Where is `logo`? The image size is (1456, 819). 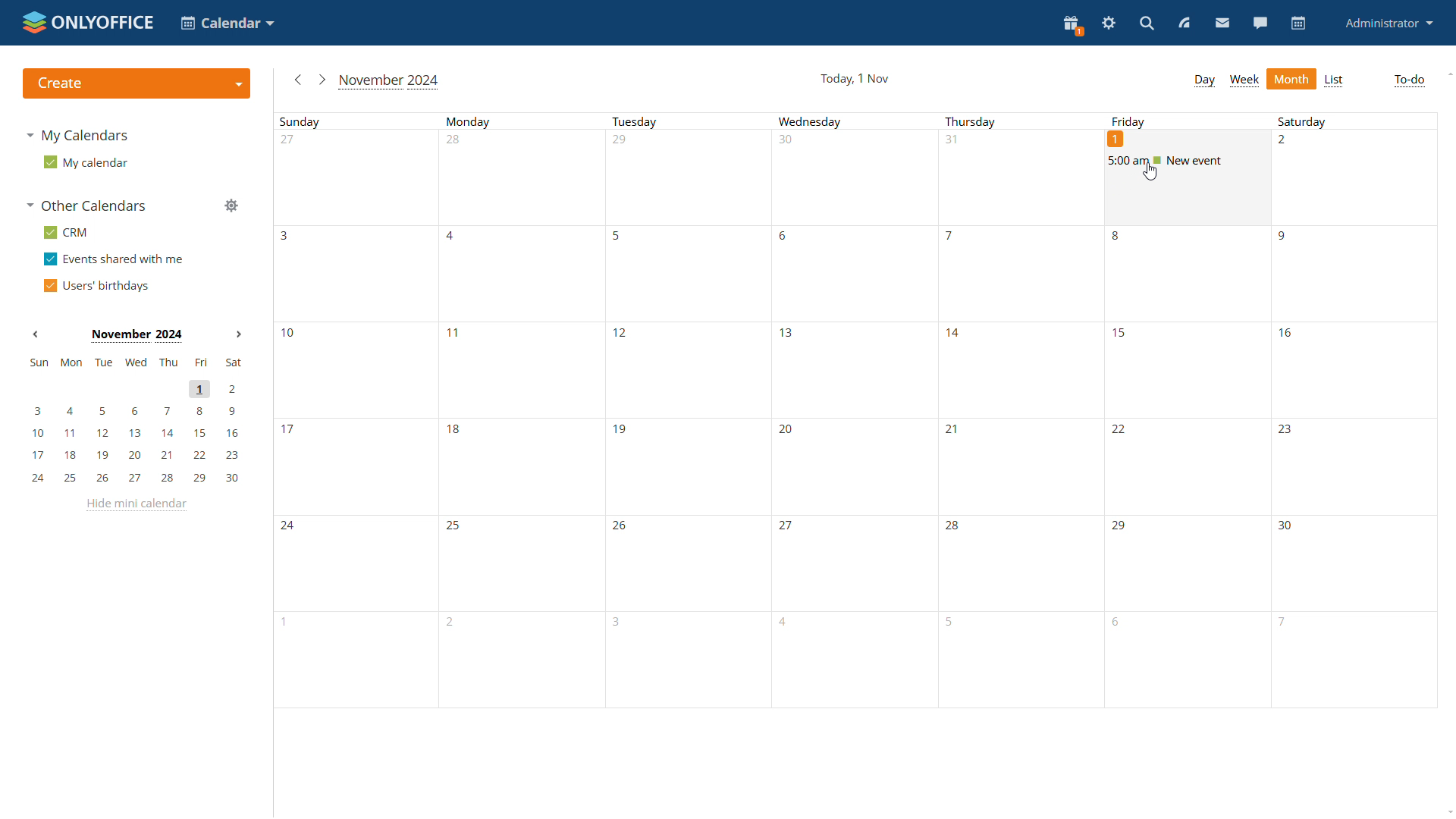 logo is located at coordinates (89, 23).